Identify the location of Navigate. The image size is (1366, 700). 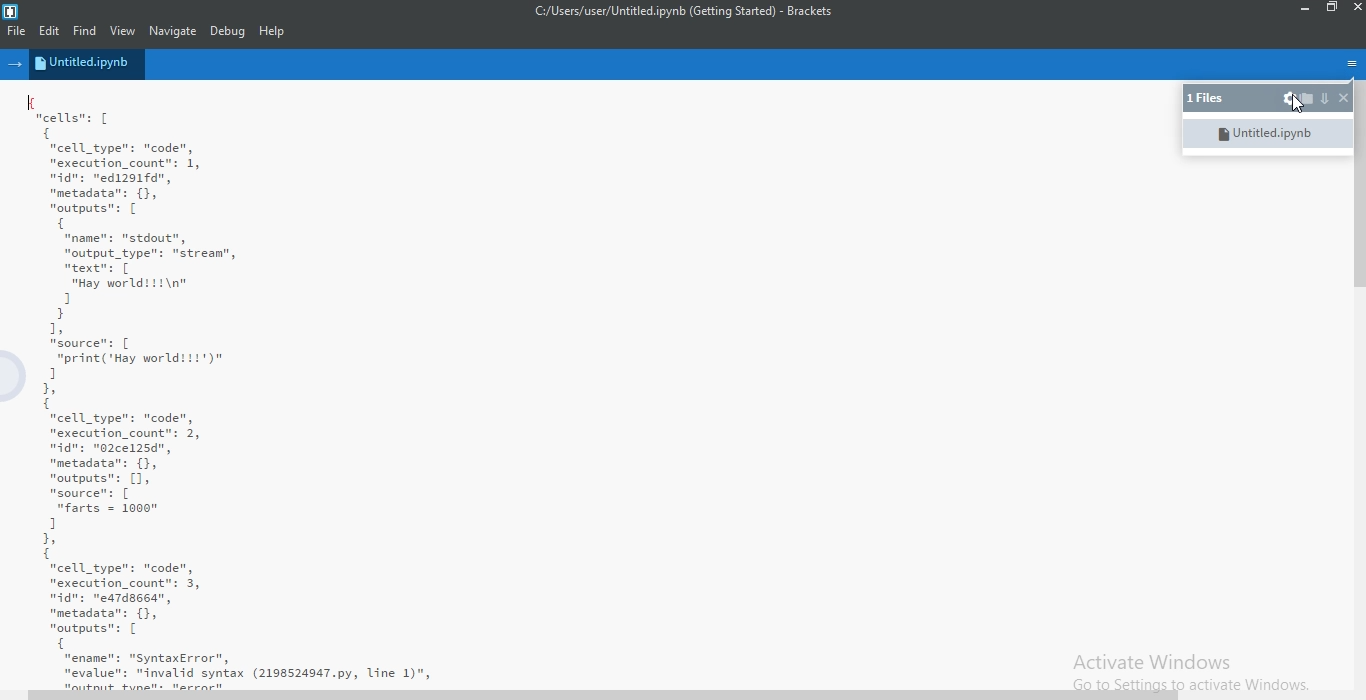
(172, 32).